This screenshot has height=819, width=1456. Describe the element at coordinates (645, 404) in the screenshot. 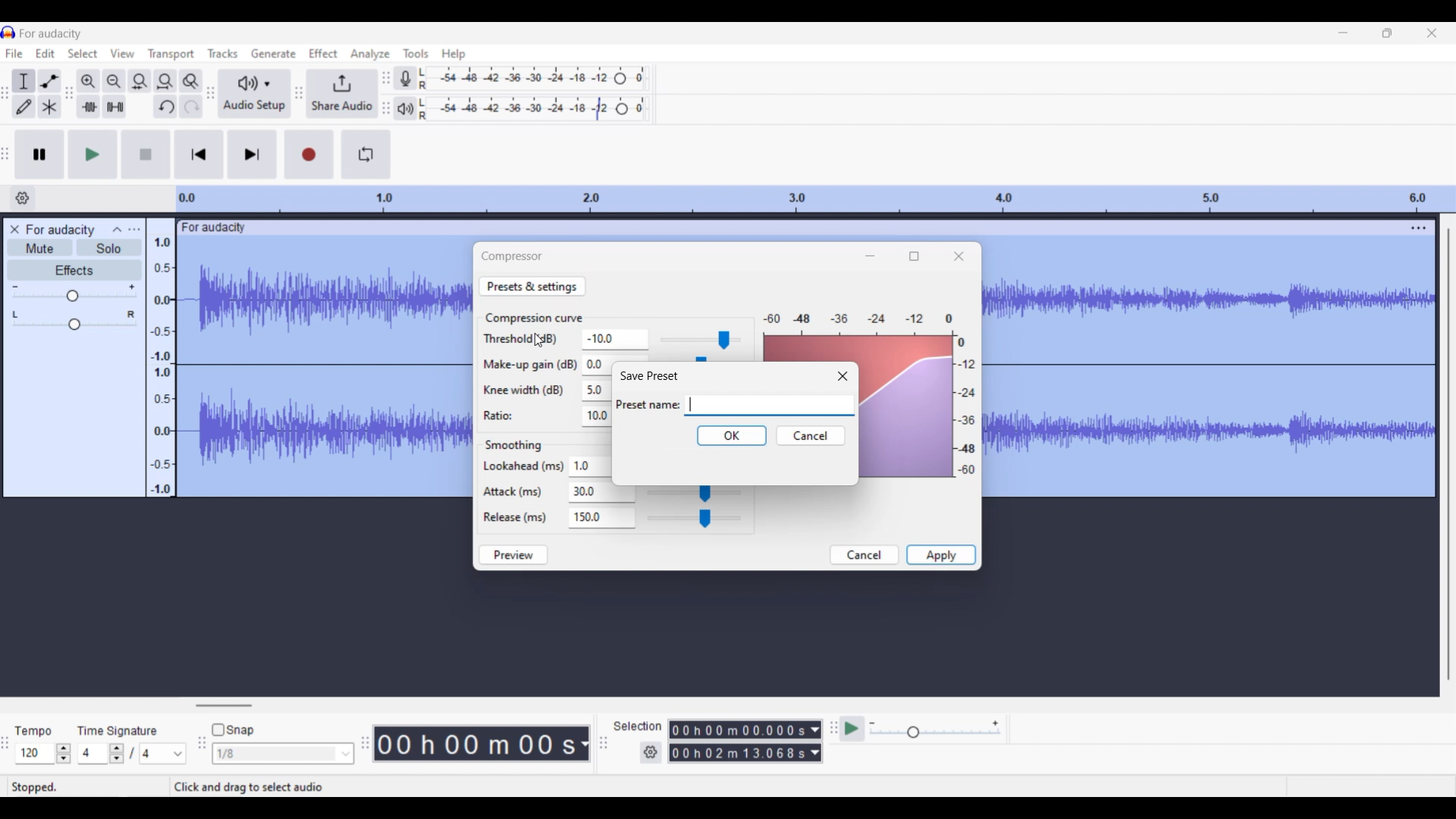

I see `Indicates text box for preset name` at that location.